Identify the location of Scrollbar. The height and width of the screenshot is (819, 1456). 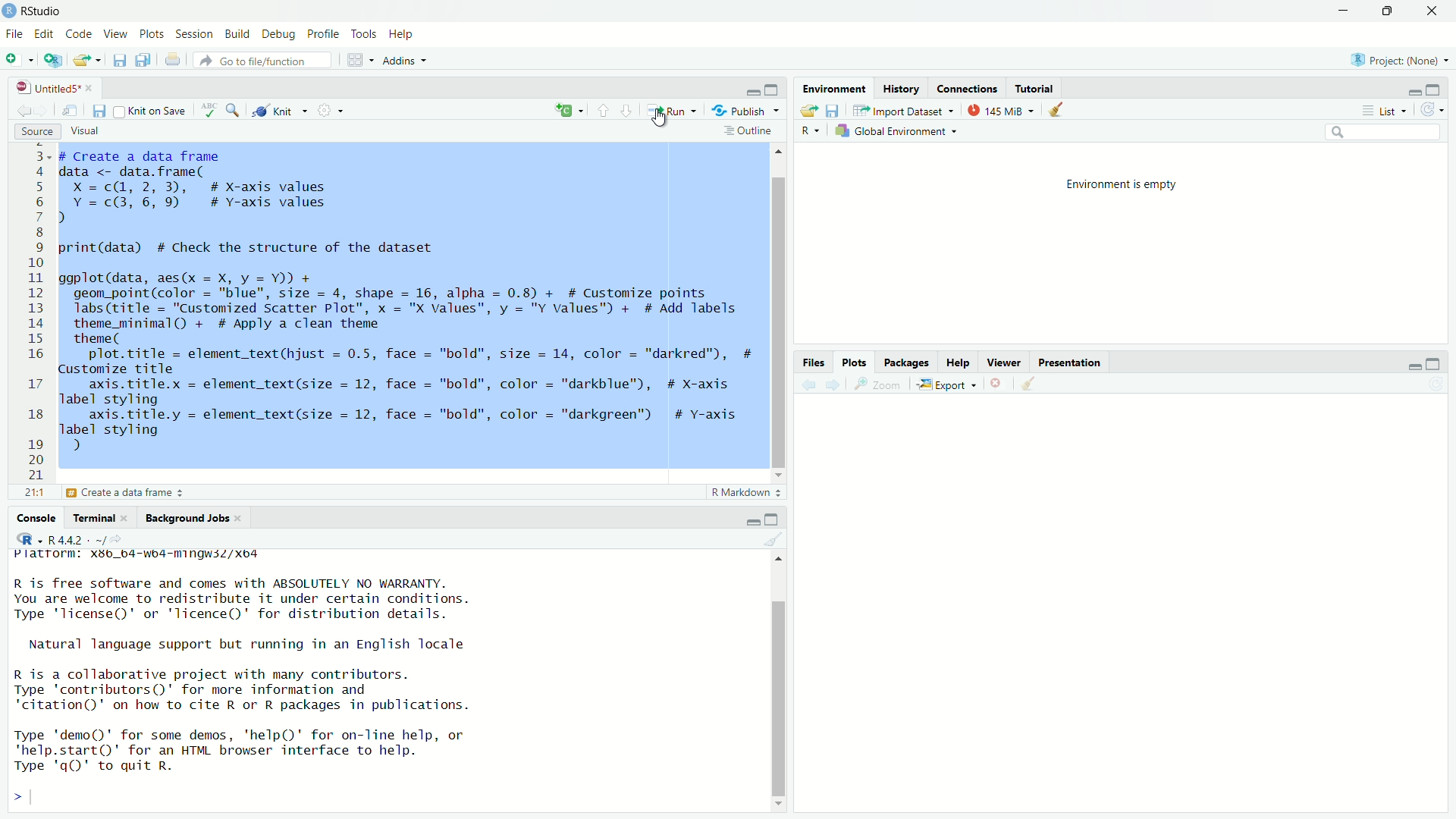
(777, 687).